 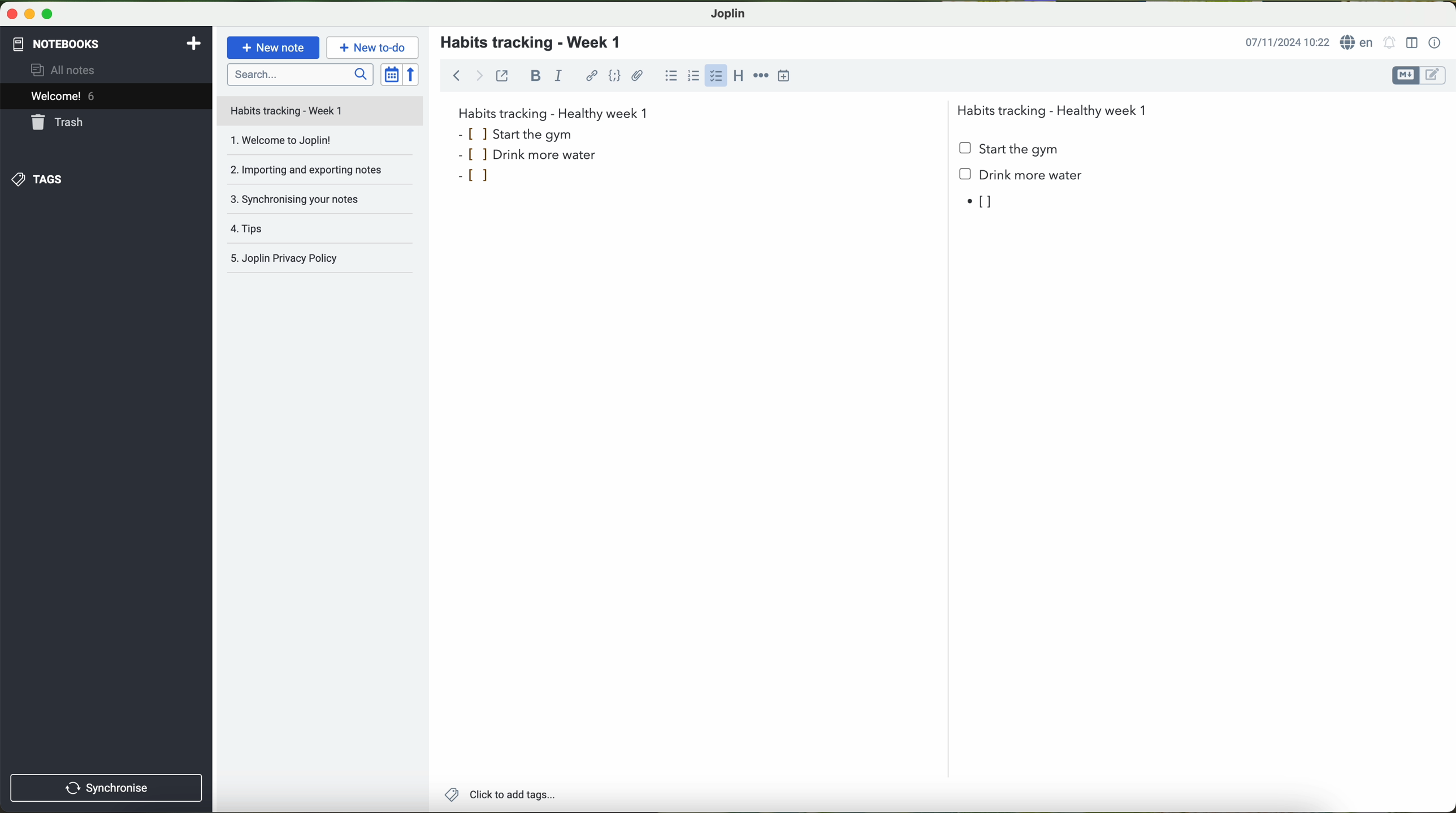 What do you see at coordinates (538, 43) in the screenshot?
I see `habits tracking - week 1` at bounding box center [538, 43].